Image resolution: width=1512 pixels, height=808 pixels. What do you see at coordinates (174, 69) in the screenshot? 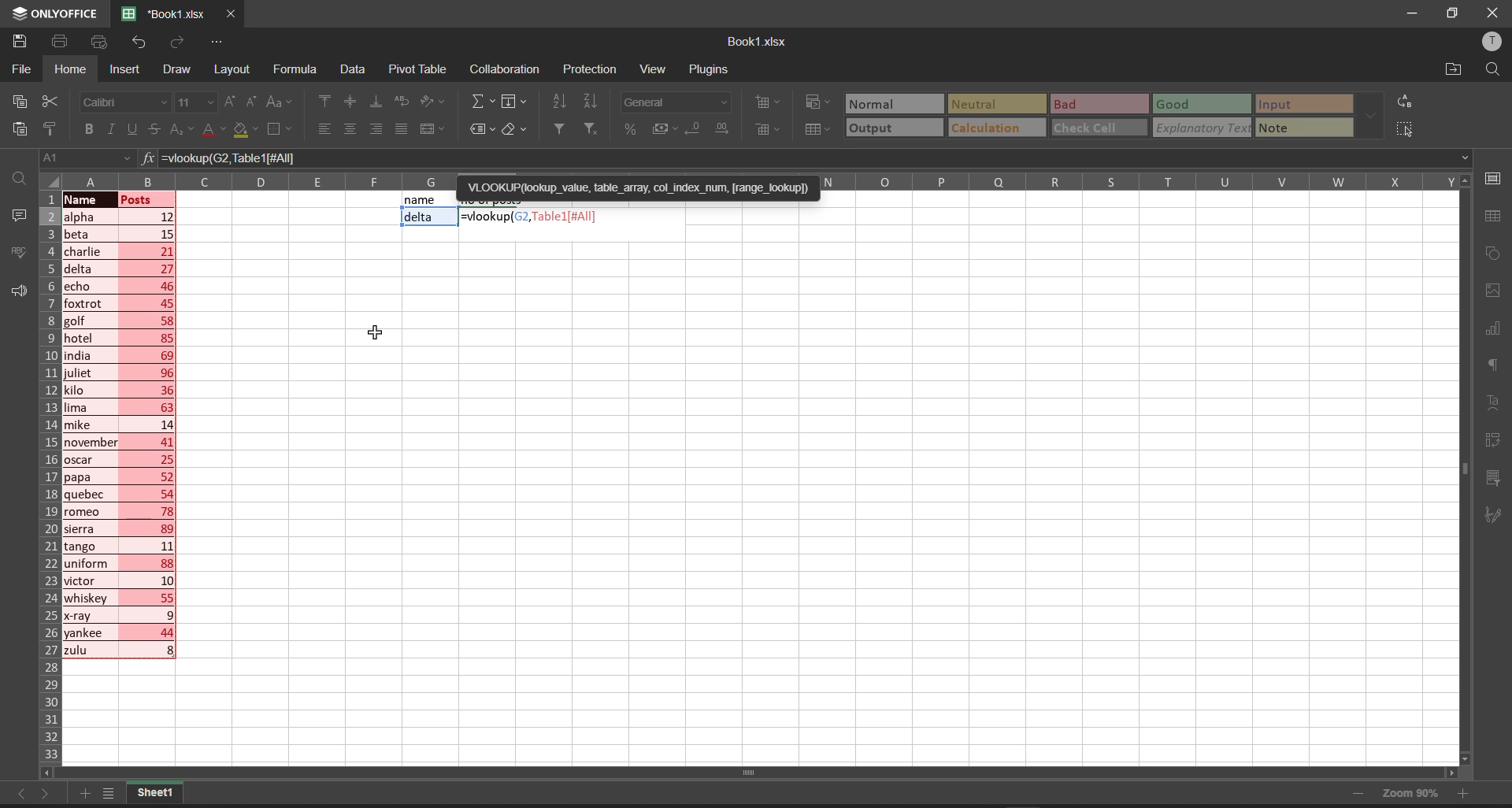
I see `draw` at bounding box center [174, 69].